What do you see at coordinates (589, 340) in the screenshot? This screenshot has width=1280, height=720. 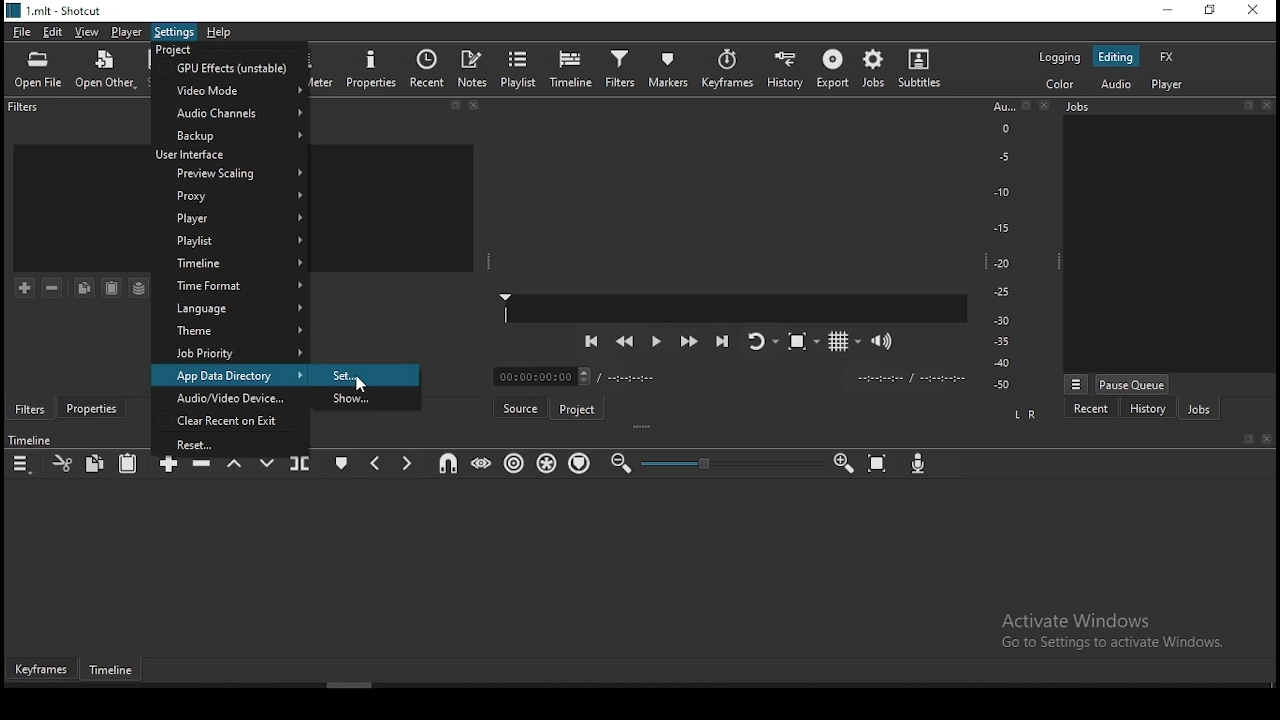 I see `skip to previous point` at bounding box center [589, 340].